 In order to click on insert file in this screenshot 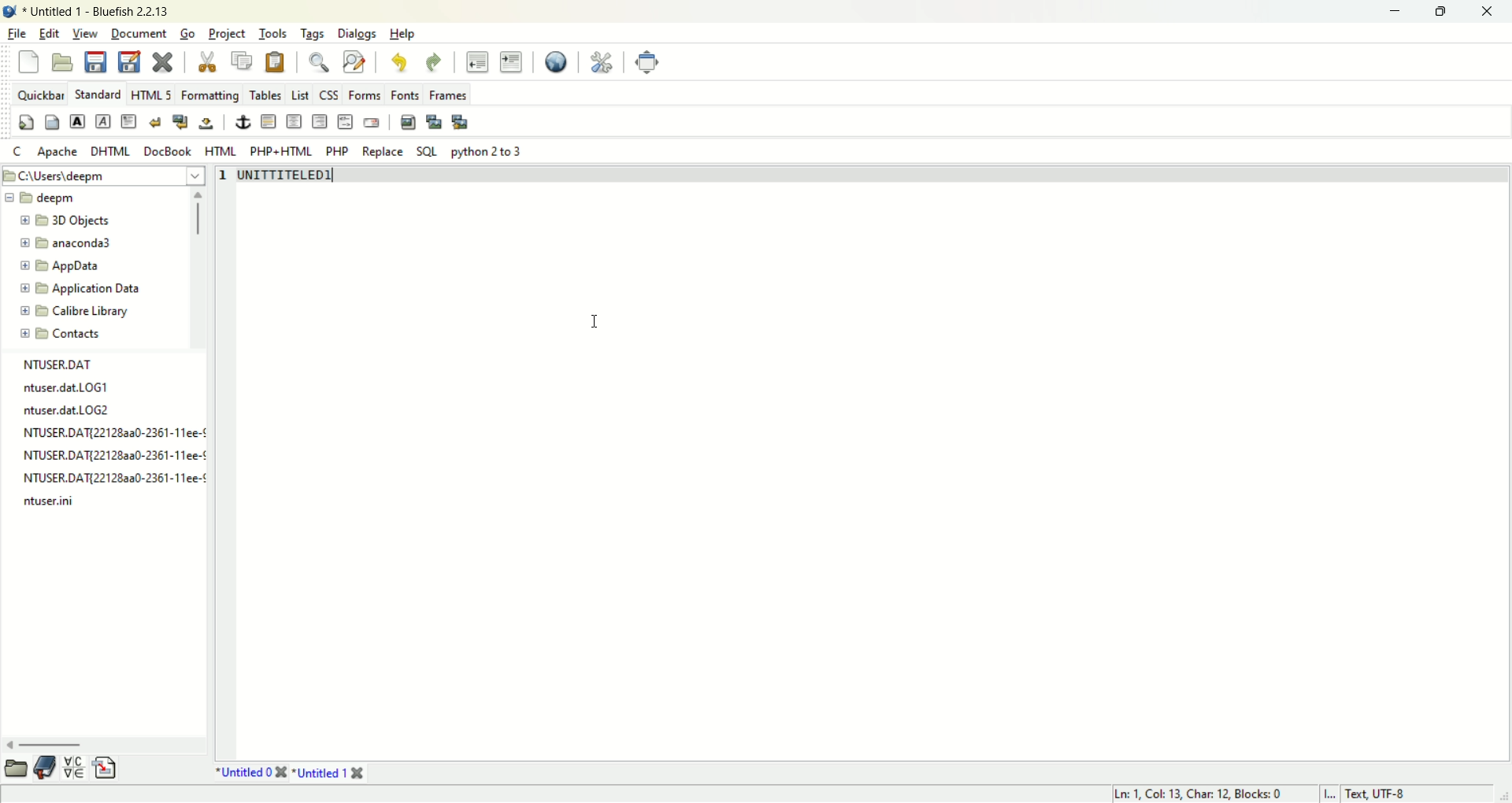, I will do `click(106, 768)`.